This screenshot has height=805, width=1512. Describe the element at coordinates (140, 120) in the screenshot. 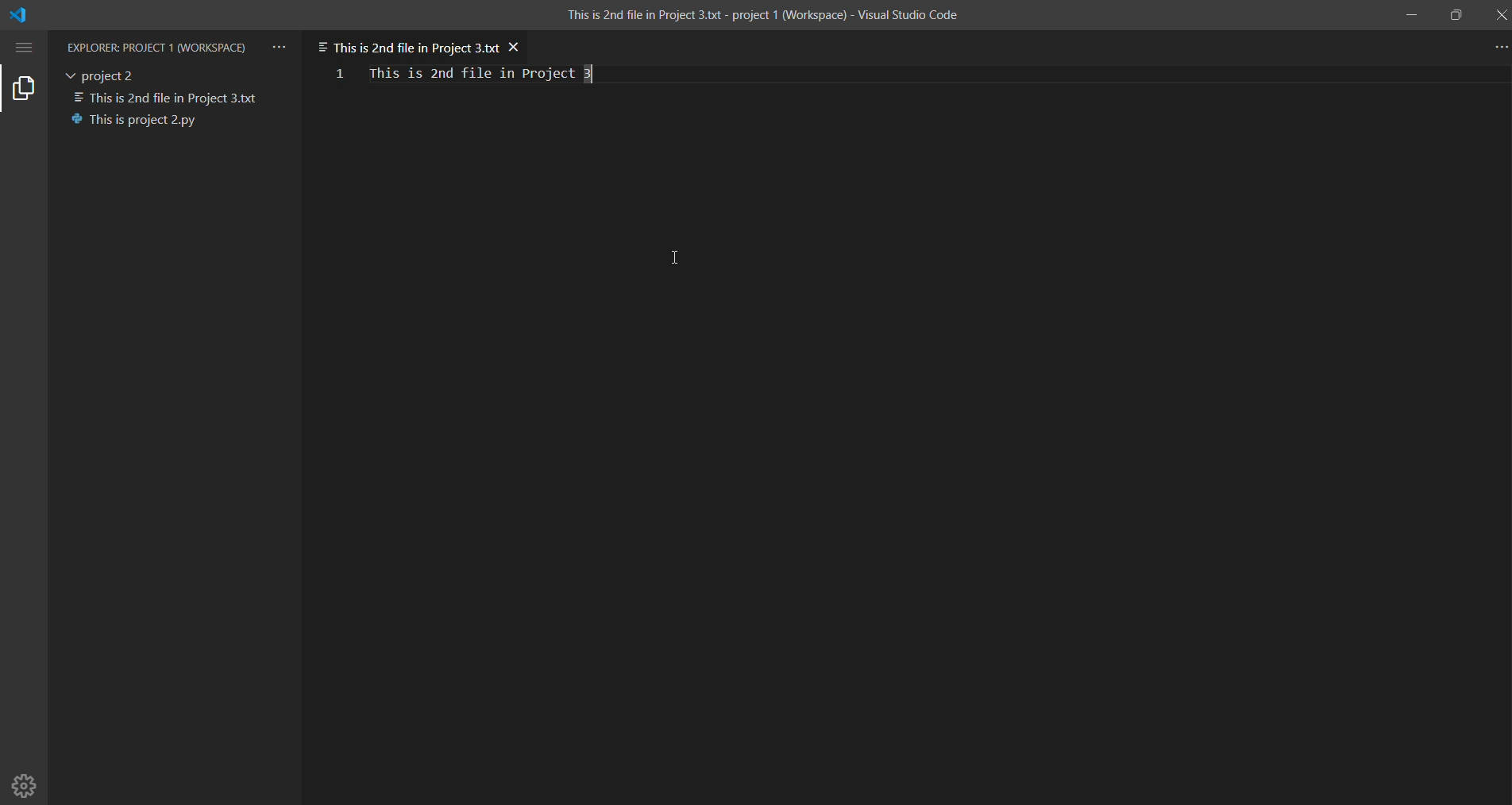

I see `This is project 2.py` at that location.